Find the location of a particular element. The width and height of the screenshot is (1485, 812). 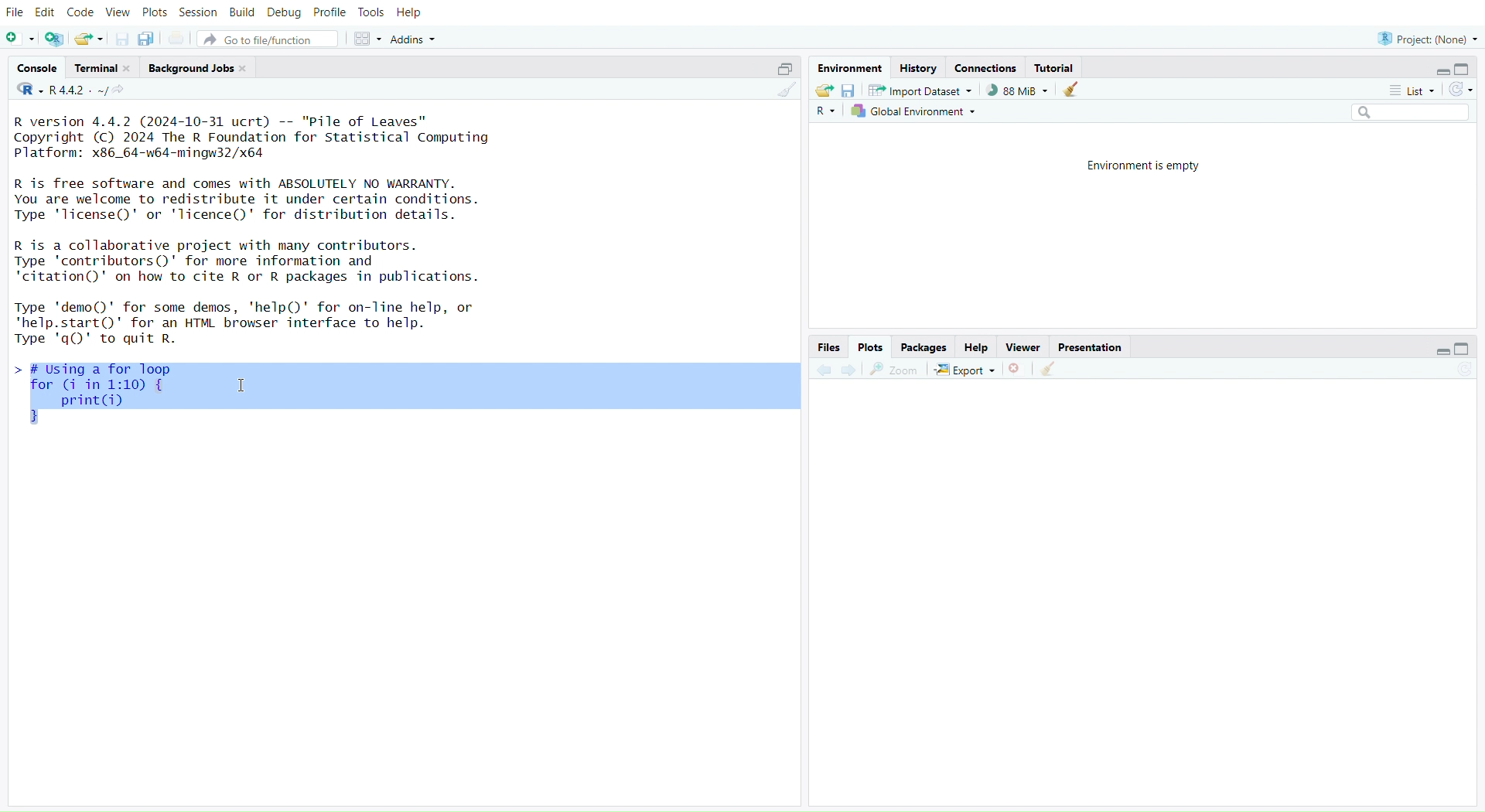

global environment is located at coordinates (916, 112).